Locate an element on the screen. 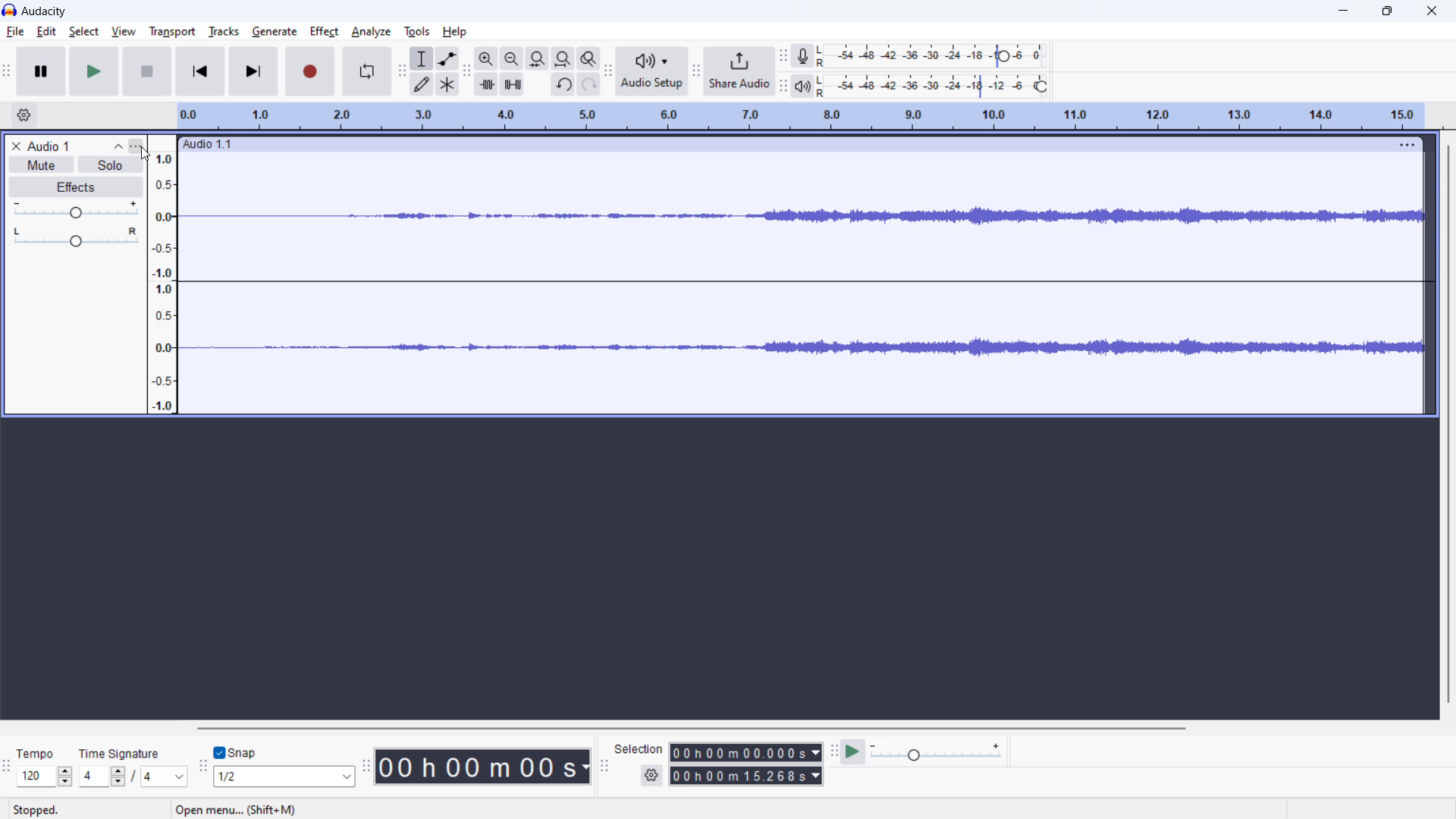 The height and width of the screenshot is (819, 1456). audio setup is located at coordinates (653, 72).